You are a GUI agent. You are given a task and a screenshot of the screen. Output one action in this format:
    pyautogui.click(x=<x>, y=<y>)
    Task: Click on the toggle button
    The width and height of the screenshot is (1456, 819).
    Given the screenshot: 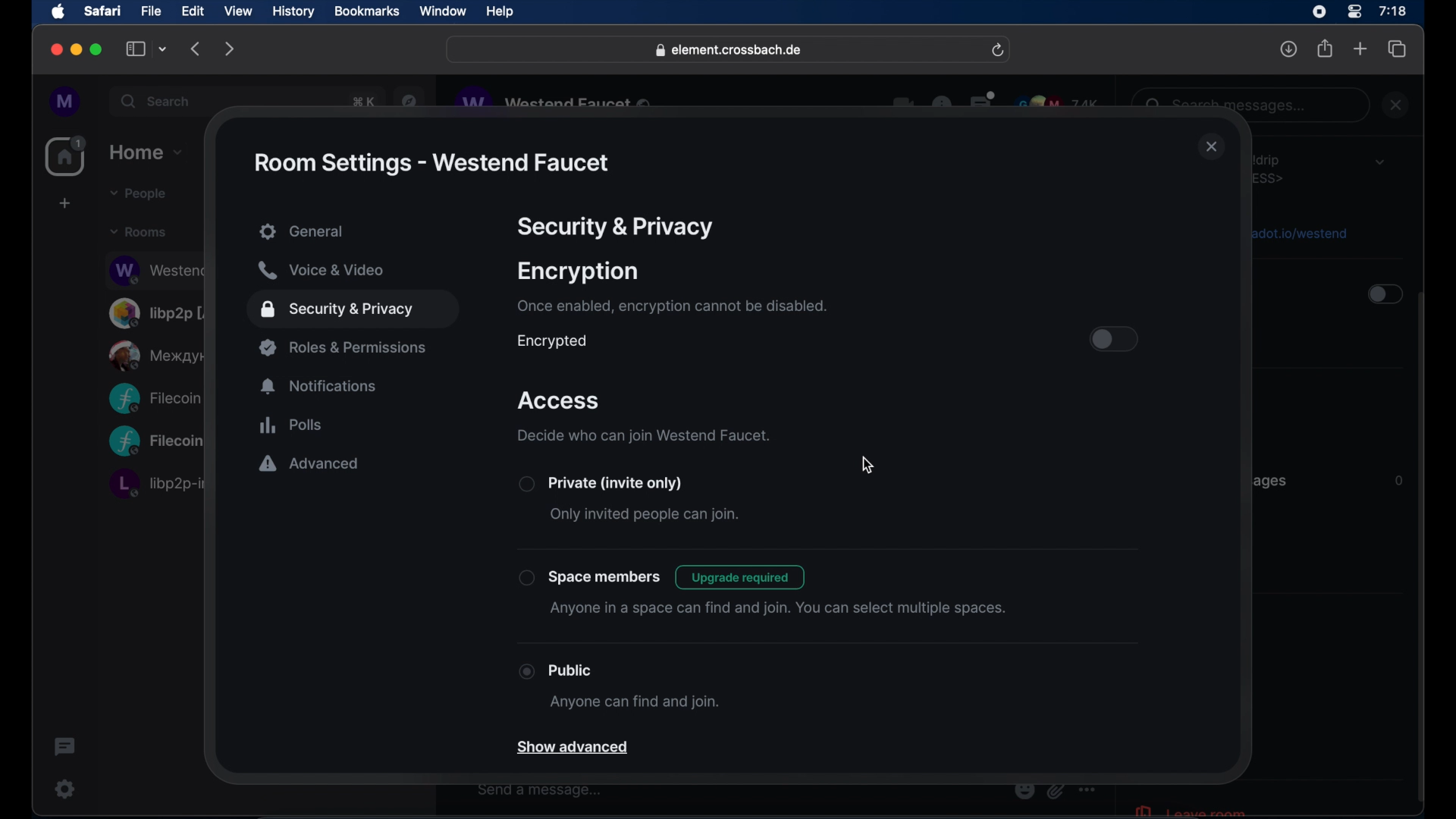 What is the action you would take?
    pyautogui.click(x=1115, y=339)
    